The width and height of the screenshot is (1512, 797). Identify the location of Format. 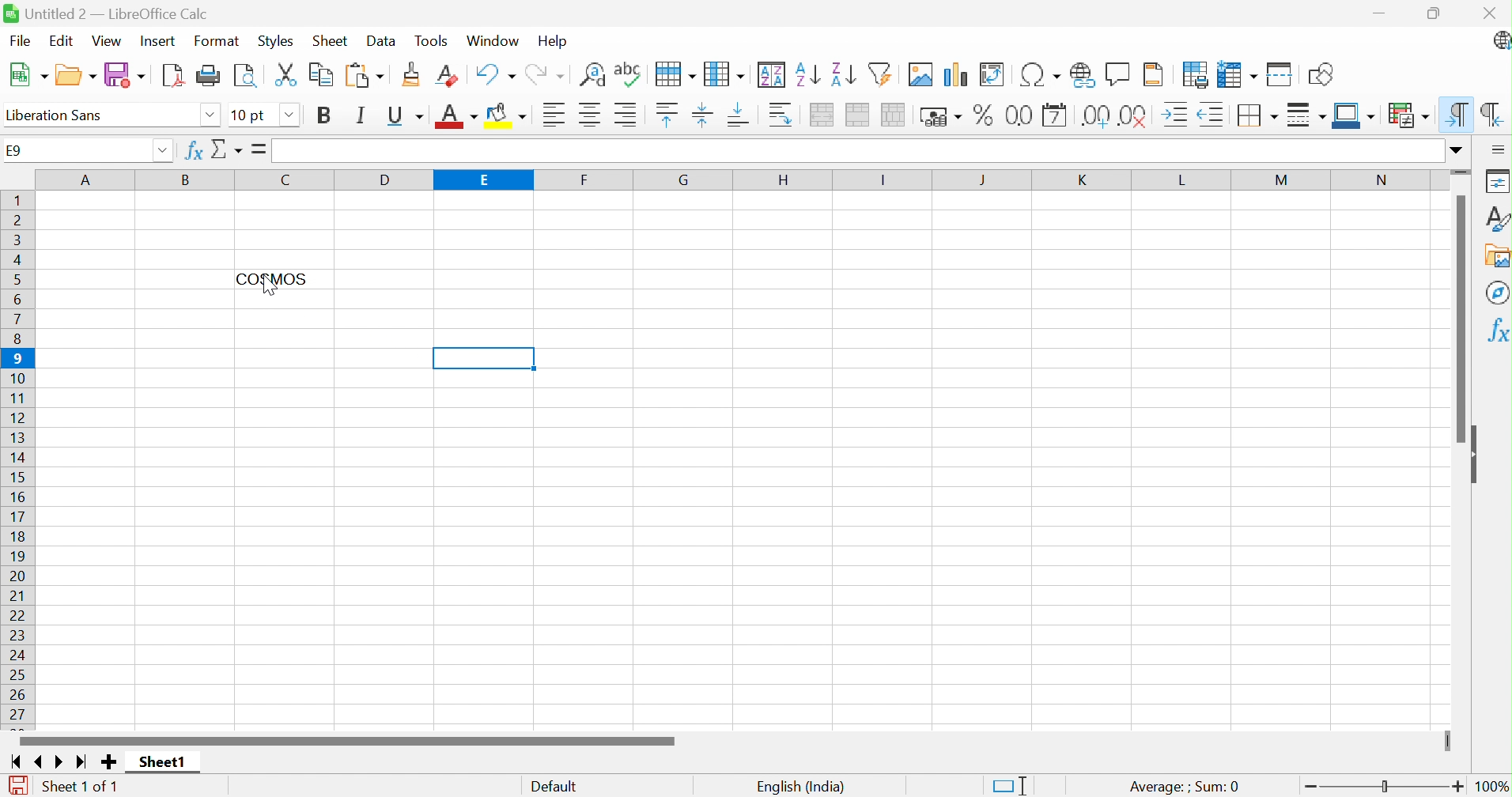
(219, 41).